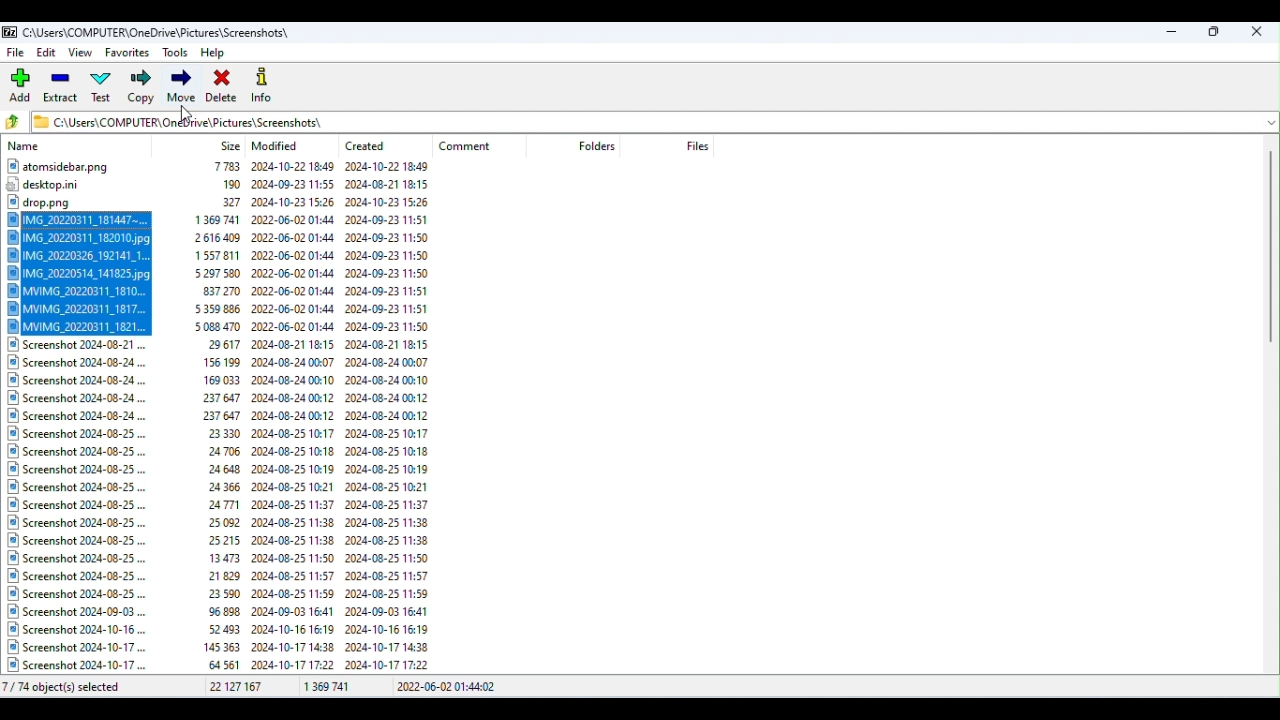 This screenshot has height=720, width=1280. What do you see at coordinates (140, 88) in the screenshot?
I see `Copy` at bounding box center [140, 88].